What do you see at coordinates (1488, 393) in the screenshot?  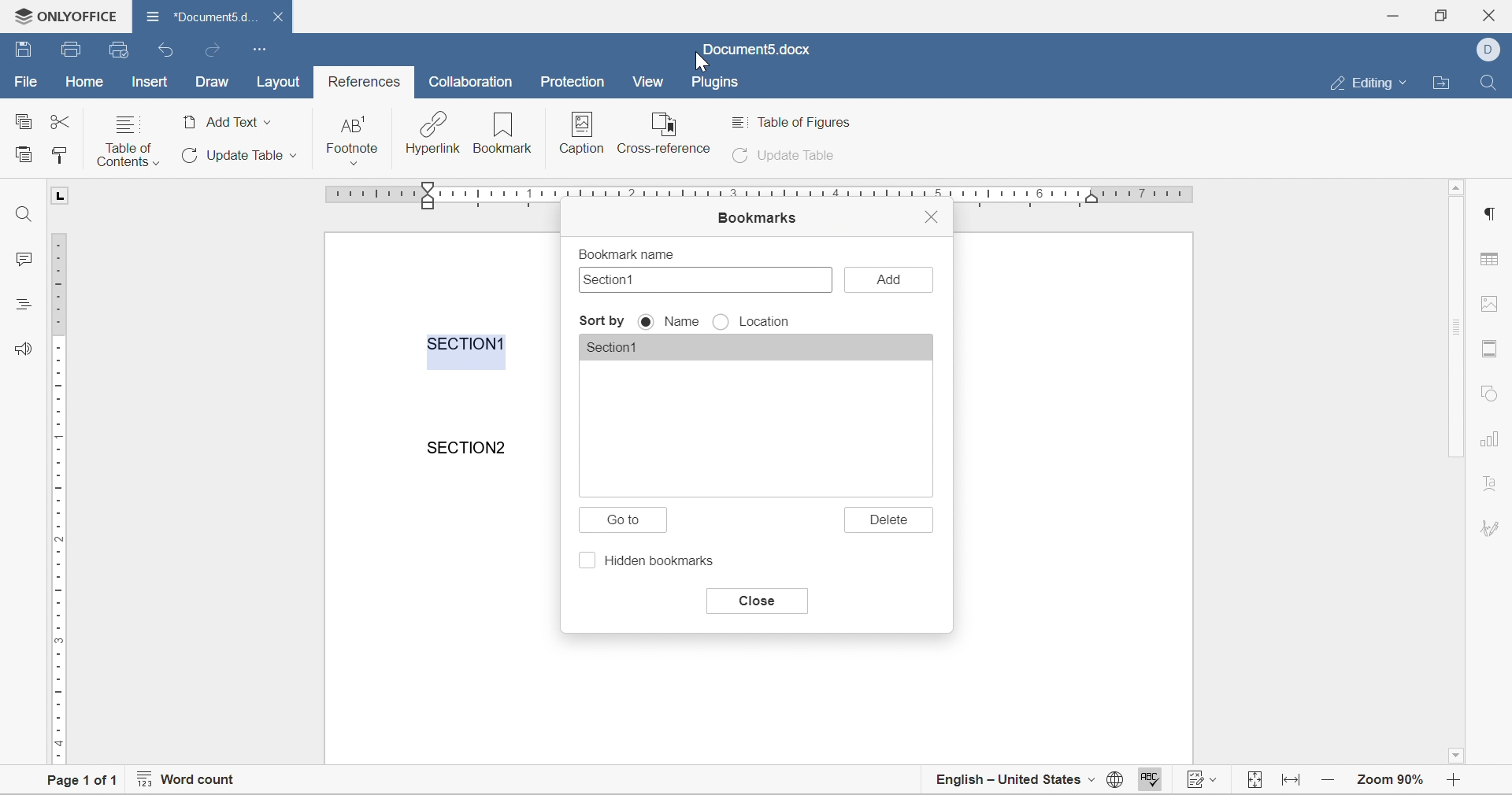 I see `shape settings` at bounding box center [1488, 393].